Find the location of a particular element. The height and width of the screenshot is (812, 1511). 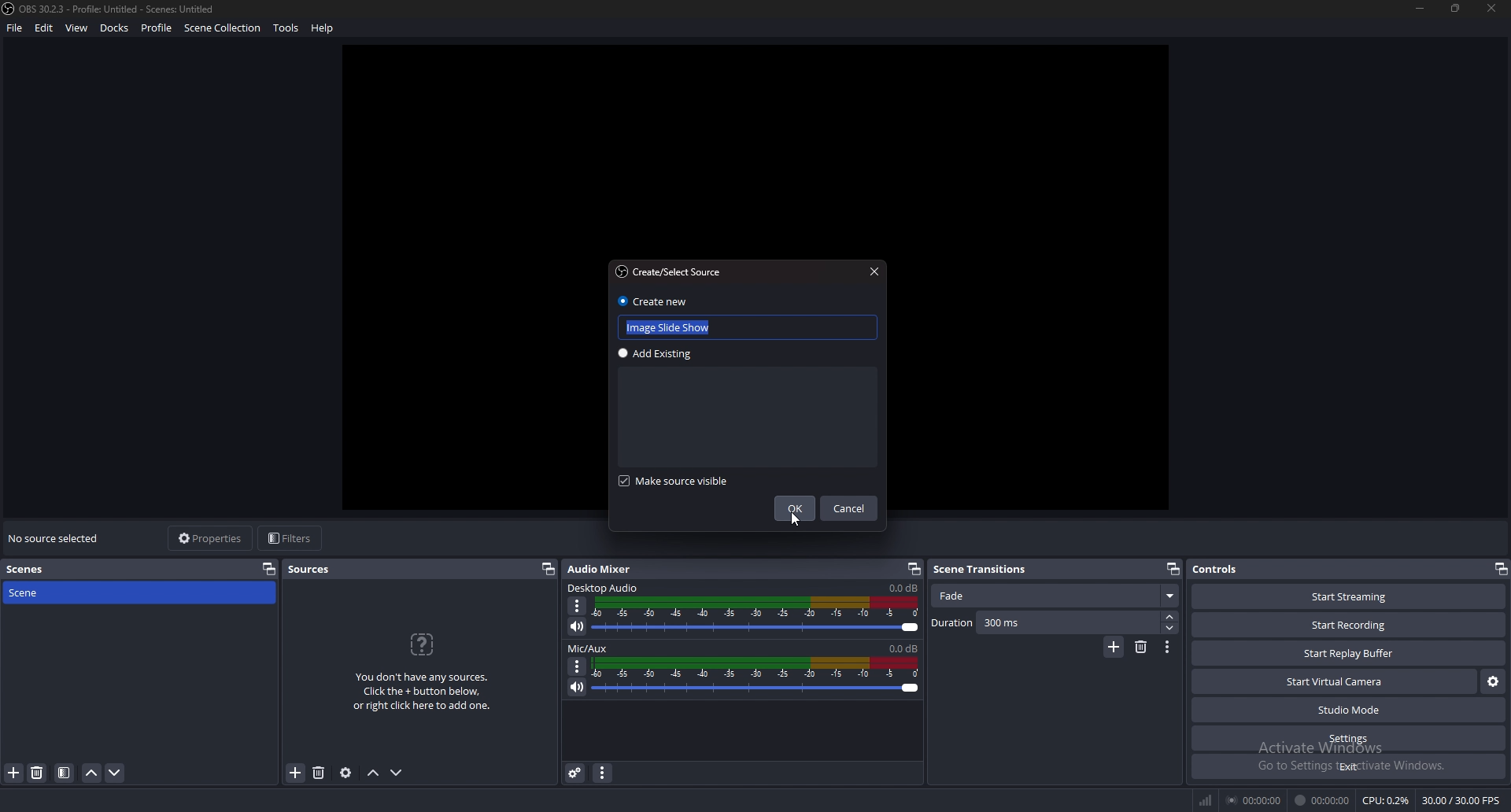

pop out is located at coordinates (911, 570).